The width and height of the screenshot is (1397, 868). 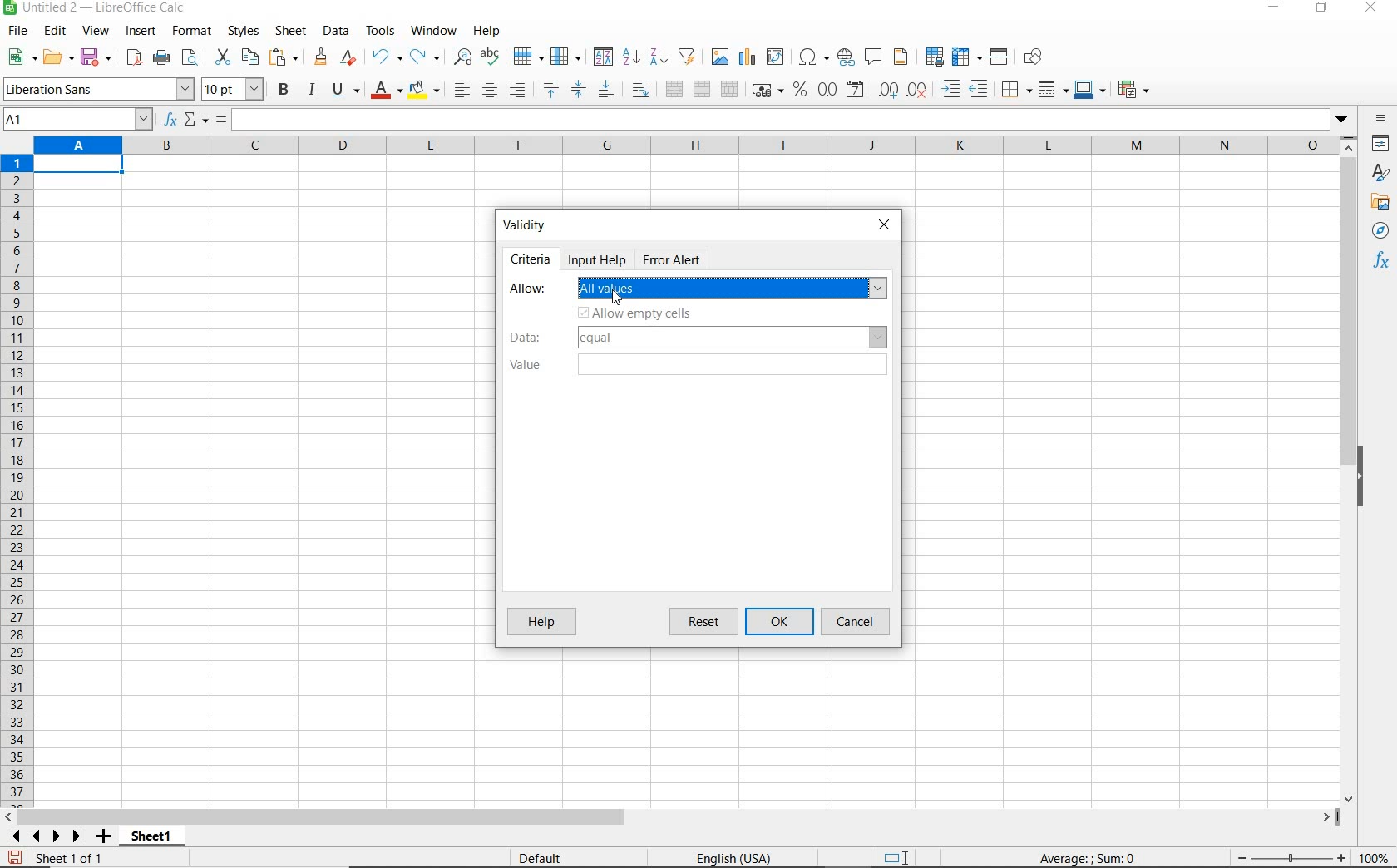 I want to click on cut, so click(x=222, y=57).